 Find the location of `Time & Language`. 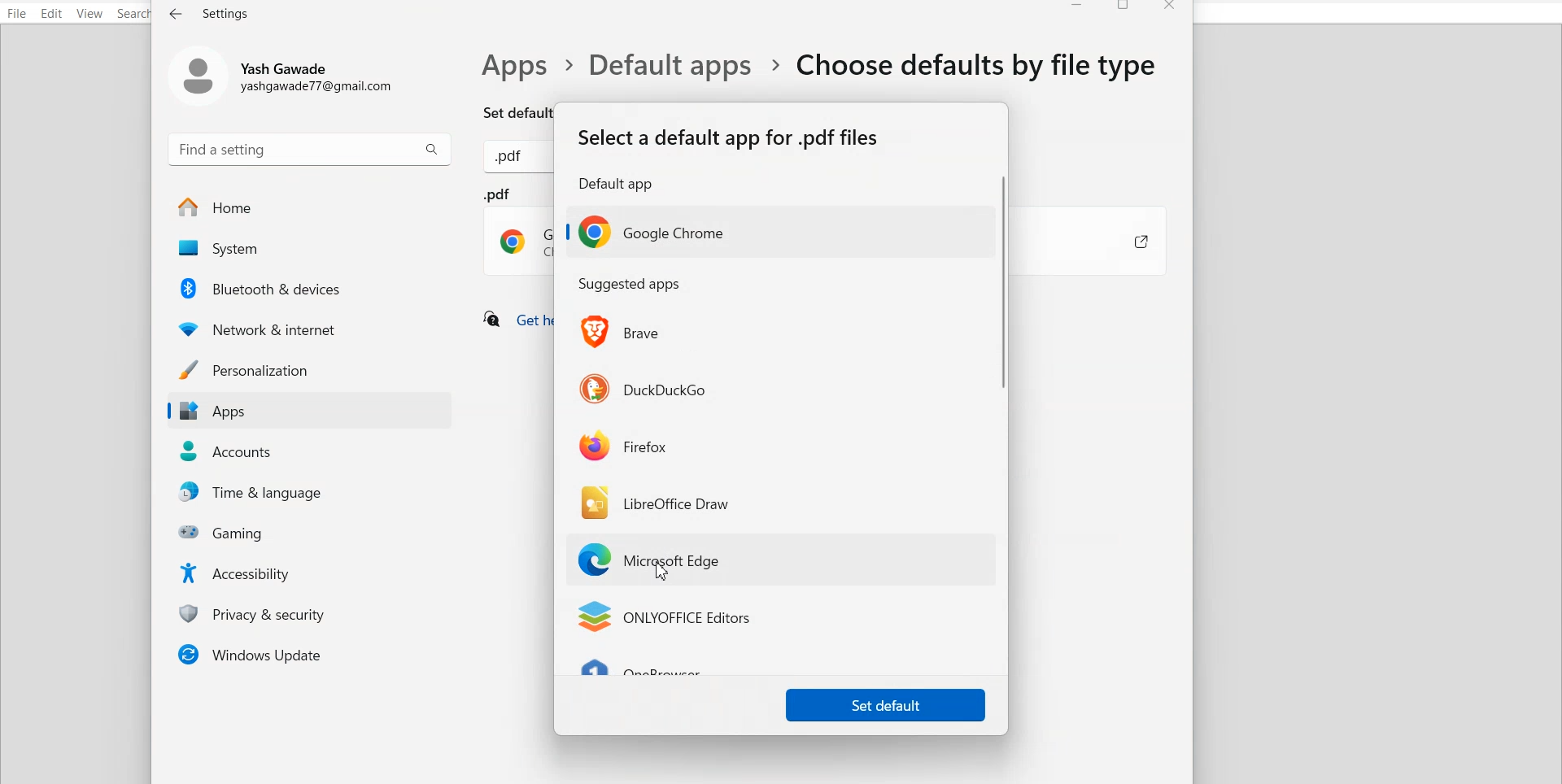

Time & Language is located at coordinates (314, 493).